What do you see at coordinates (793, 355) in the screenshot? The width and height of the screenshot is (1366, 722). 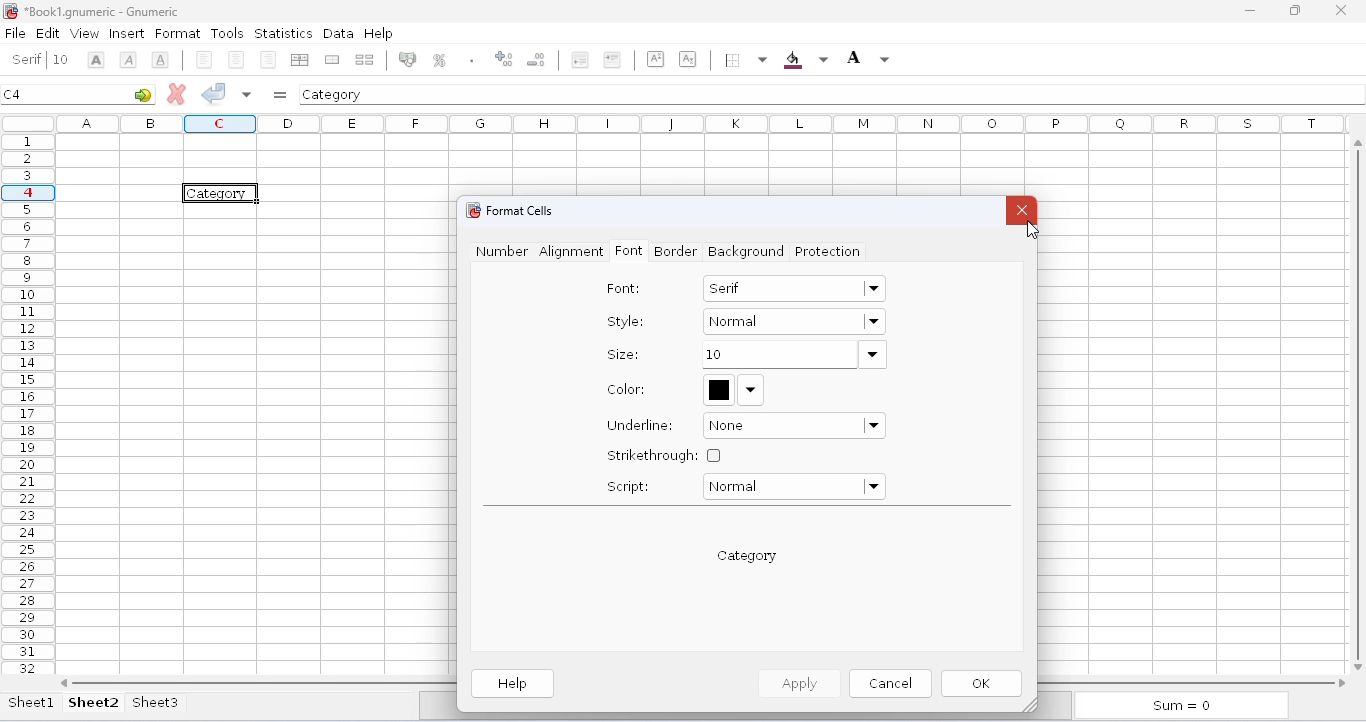 I see `10` at bounding box center [793, 355].